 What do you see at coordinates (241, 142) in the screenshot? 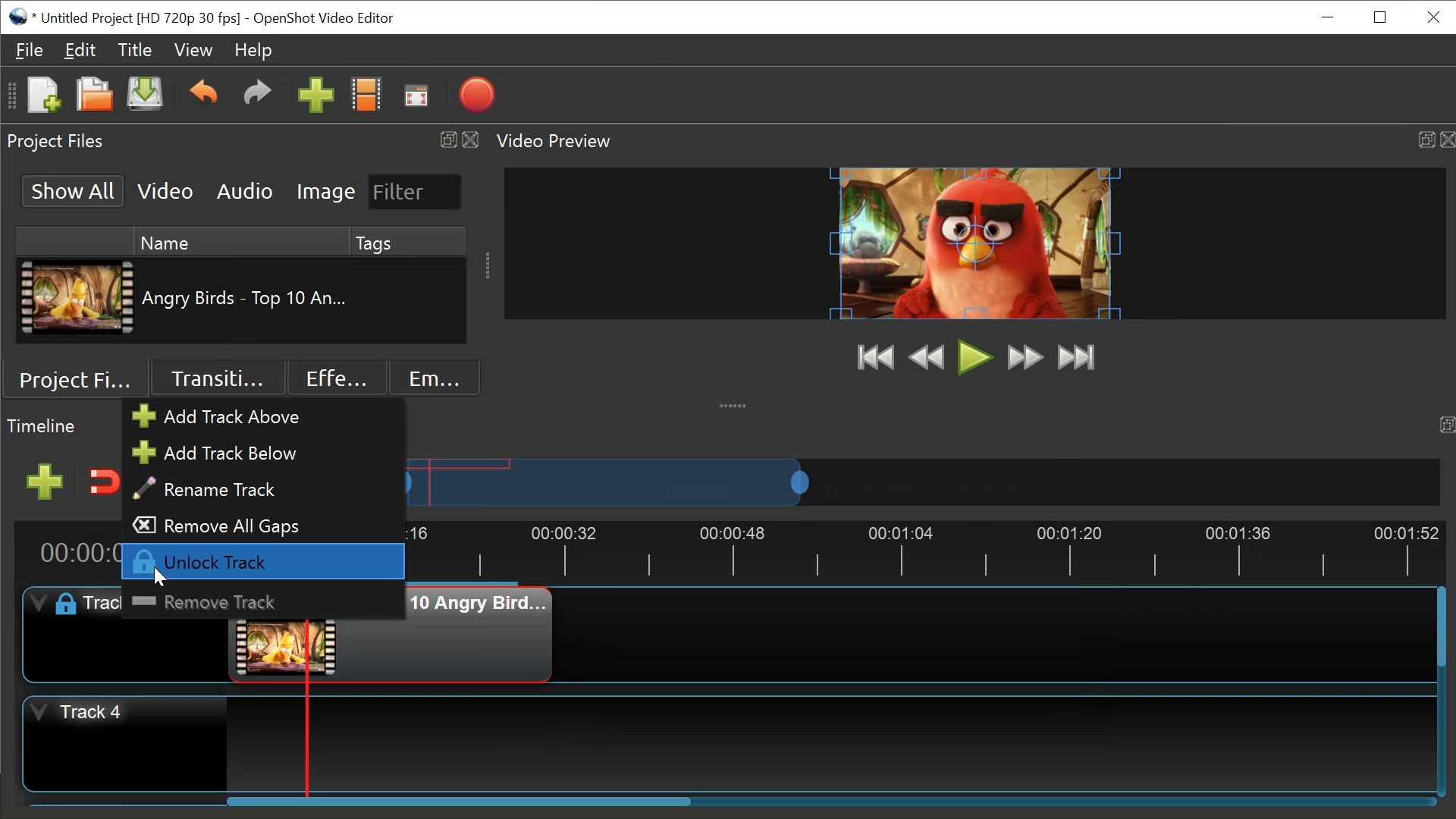
I see `Project Files` at bounding box center [241, 142].